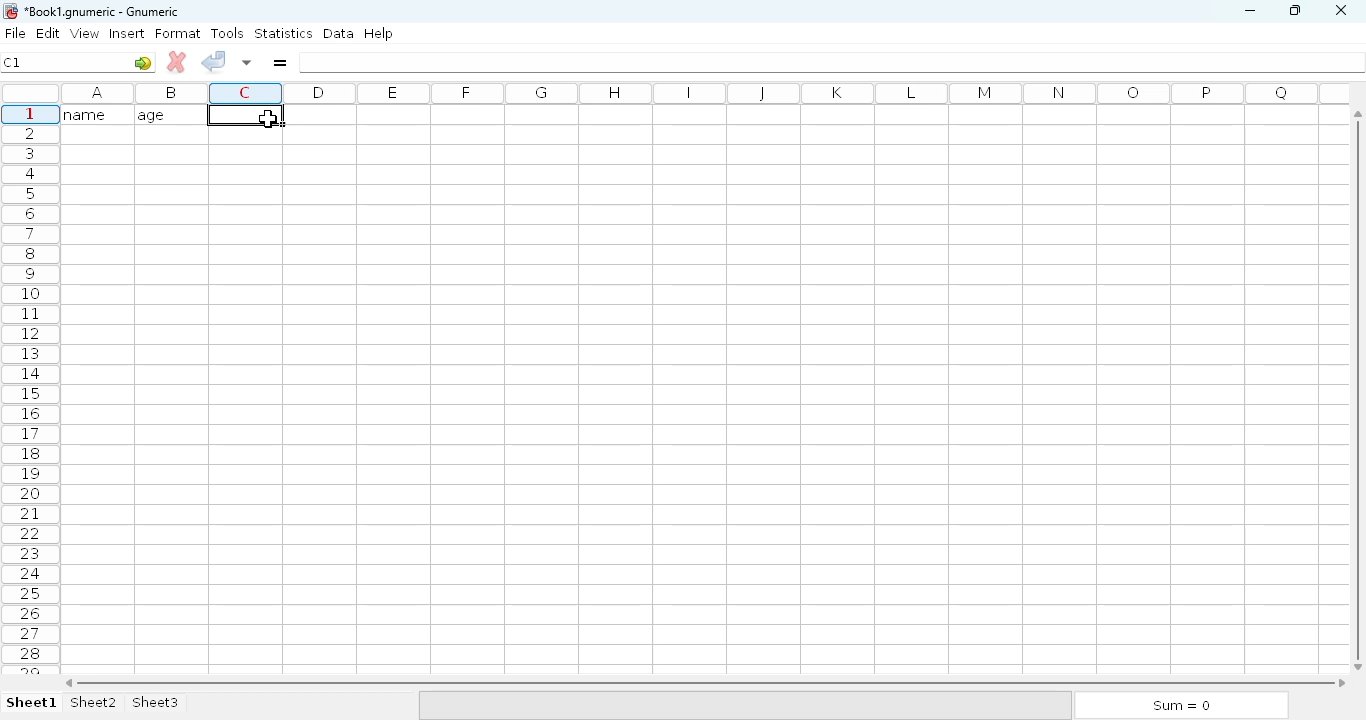  What do you see at coordinates (103, 12) in the screenshot?
I see `title` at bounding box center [103, 12].